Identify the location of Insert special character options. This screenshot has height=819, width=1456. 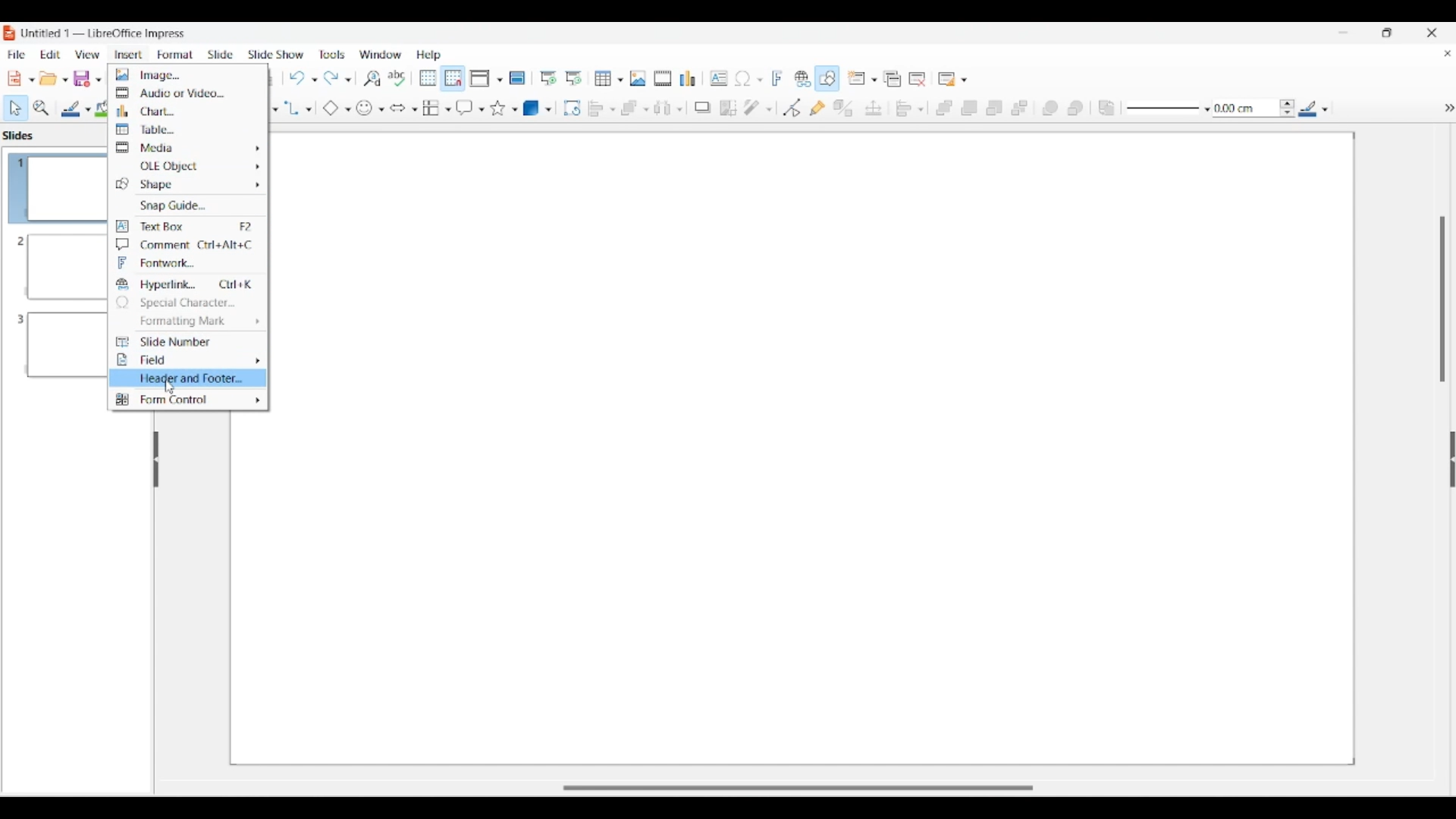
(748, 78).